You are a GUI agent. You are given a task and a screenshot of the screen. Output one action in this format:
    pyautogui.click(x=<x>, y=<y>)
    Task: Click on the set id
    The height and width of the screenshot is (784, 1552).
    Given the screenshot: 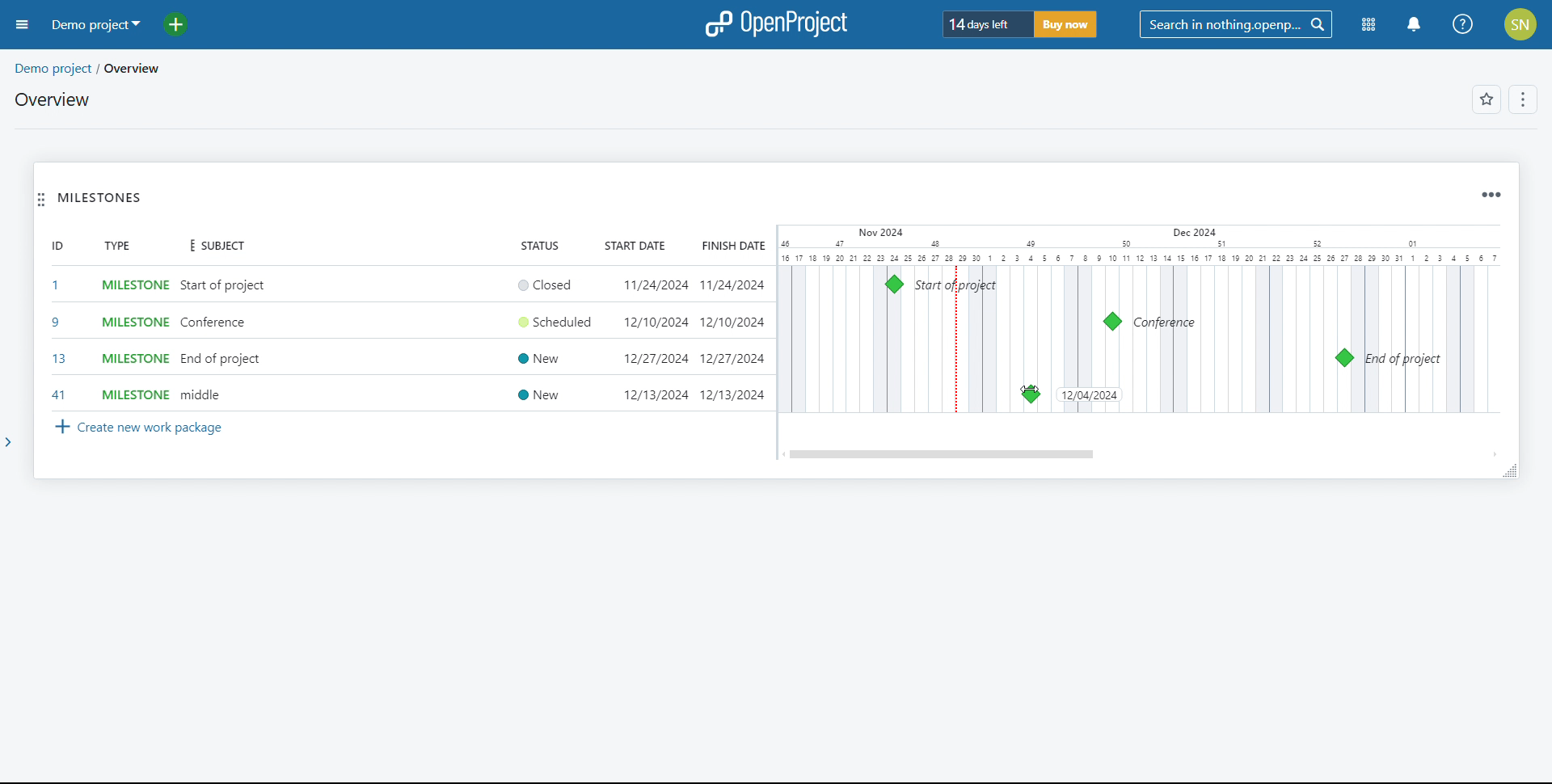 What is the action you would take?
    pyautogui.click(x=57, y=339)
    